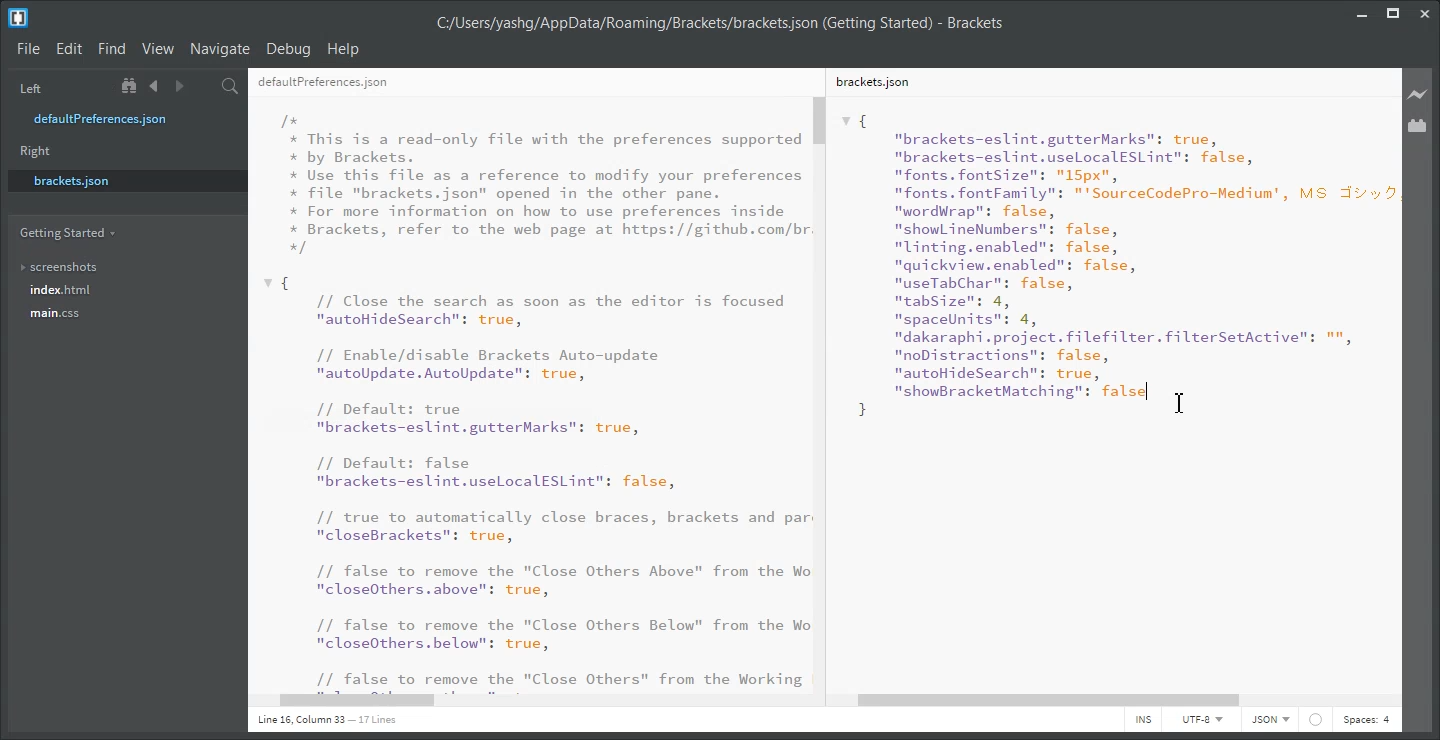  What do you see at coordinates (719, 21) in the screenshot?
I see `C:/Users/yashg/AppData/Roaming/Brackets/brackets json (Getting Started) - Brackets` at bounding box center [719, 21].